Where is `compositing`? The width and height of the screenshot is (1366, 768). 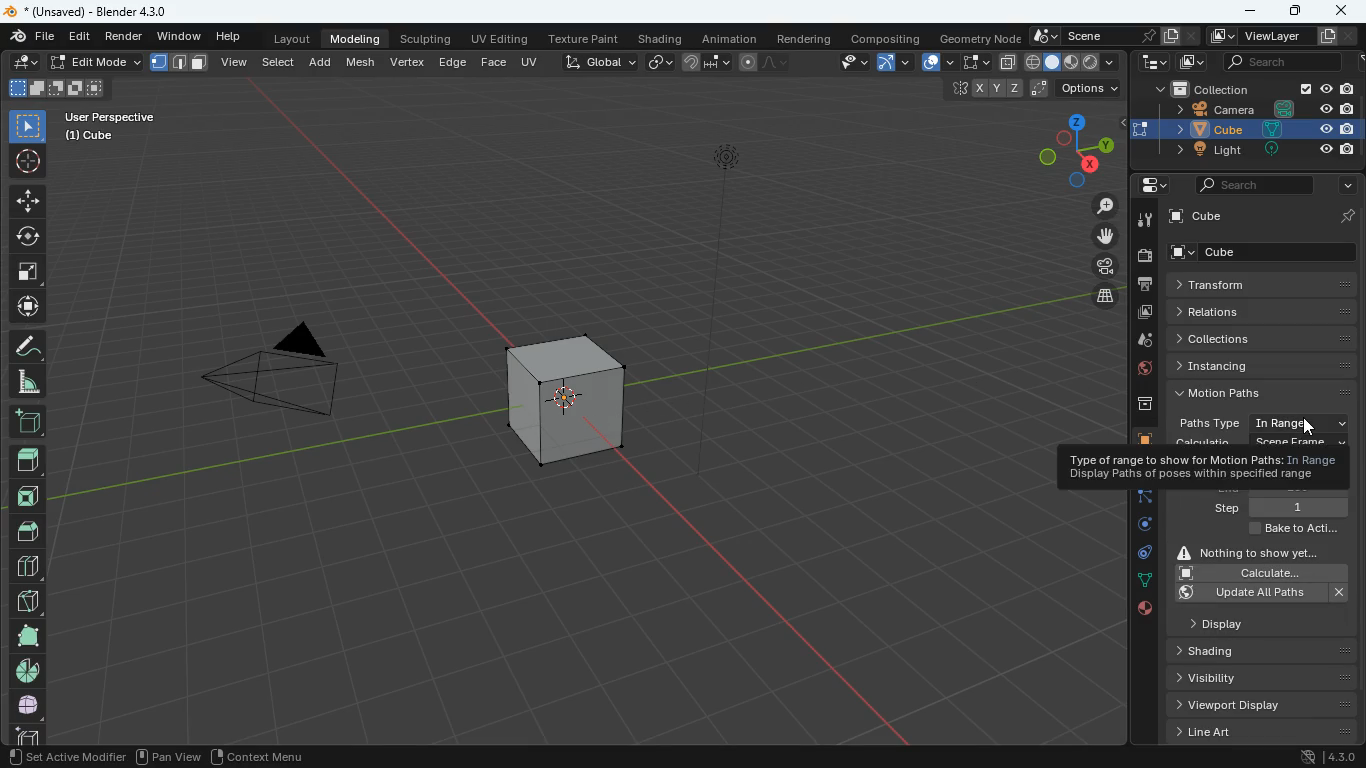
compositing is located at coordinates (888, 38).